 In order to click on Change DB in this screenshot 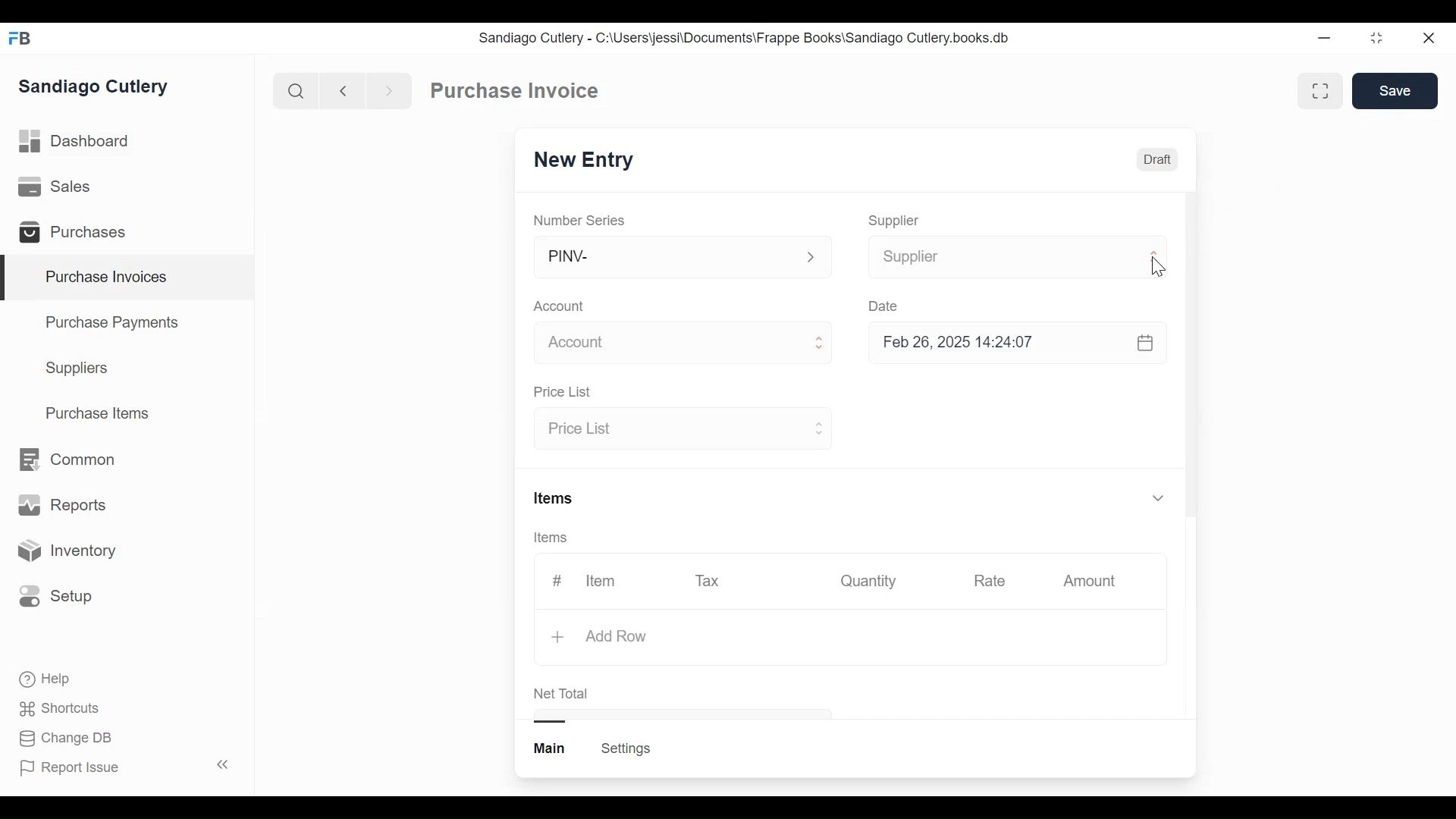, I will do `click(68, 739)`.